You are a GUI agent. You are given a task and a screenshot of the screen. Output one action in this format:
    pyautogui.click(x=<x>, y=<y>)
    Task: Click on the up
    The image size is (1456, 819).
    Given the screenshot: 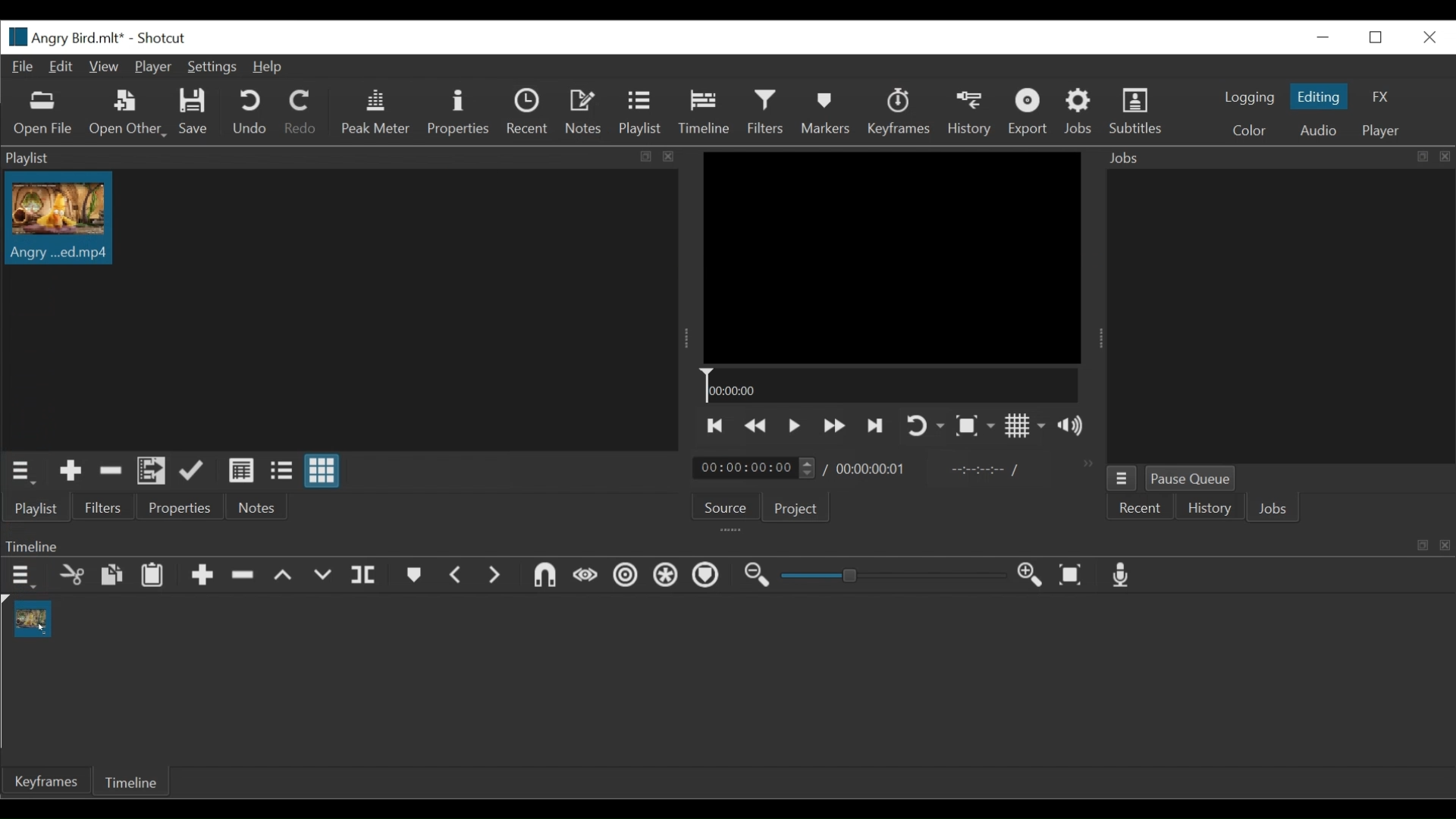 What is the action you would take?
    pyautogui.click(x=289, y=576)
    